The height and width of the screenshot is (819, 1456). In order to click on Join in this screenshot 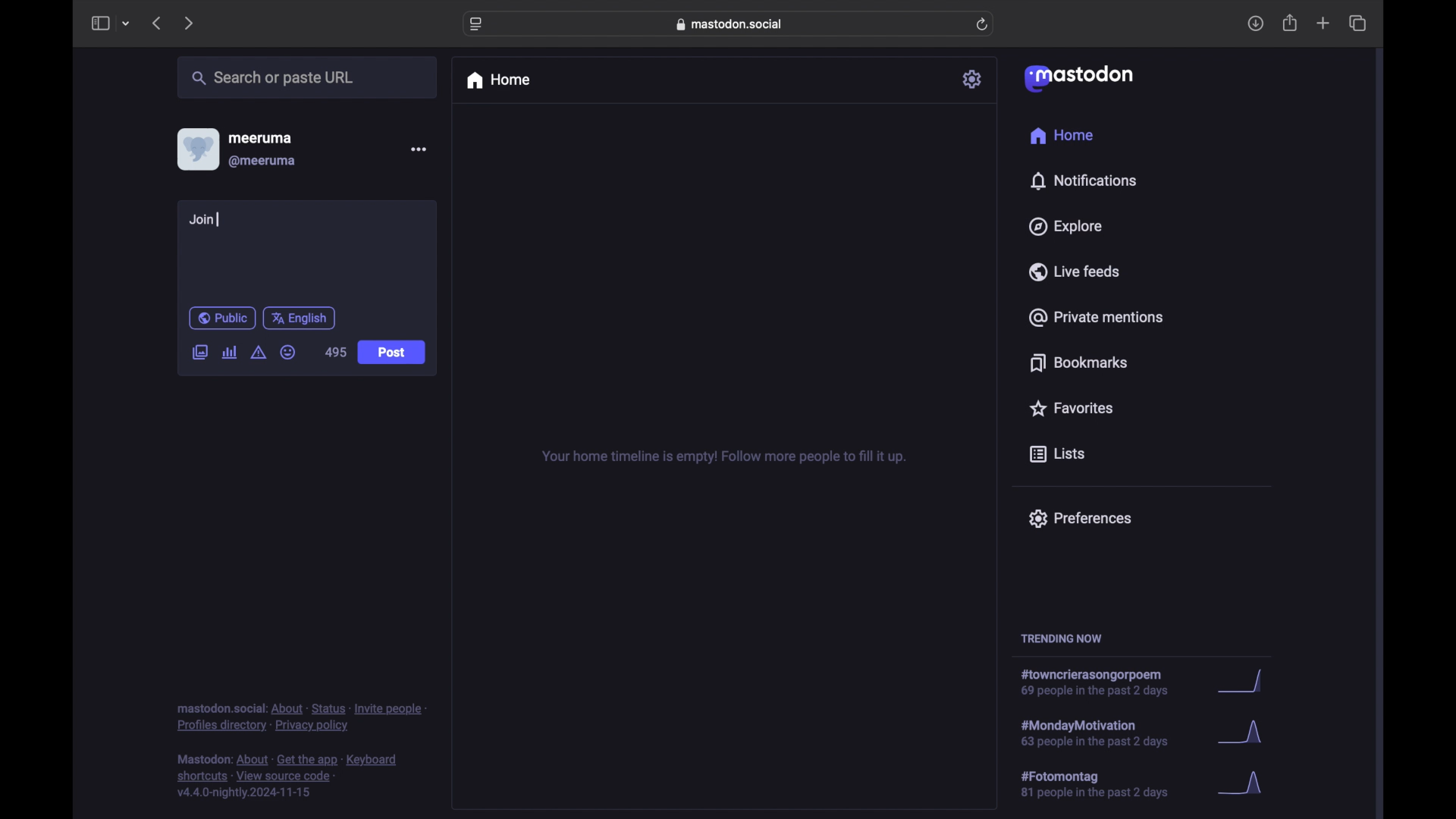, I will do `click(206, 221)`.